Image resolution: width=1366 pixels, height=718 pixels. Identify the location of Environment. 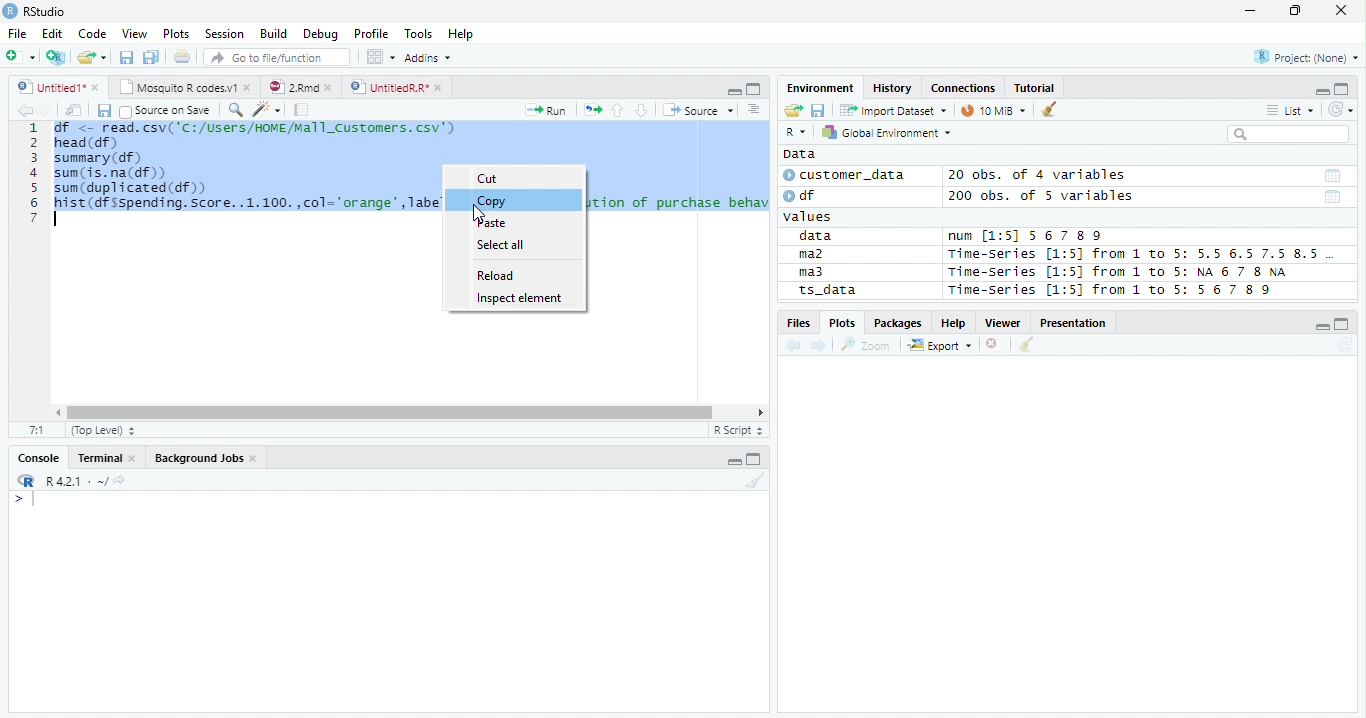
(822, 88).